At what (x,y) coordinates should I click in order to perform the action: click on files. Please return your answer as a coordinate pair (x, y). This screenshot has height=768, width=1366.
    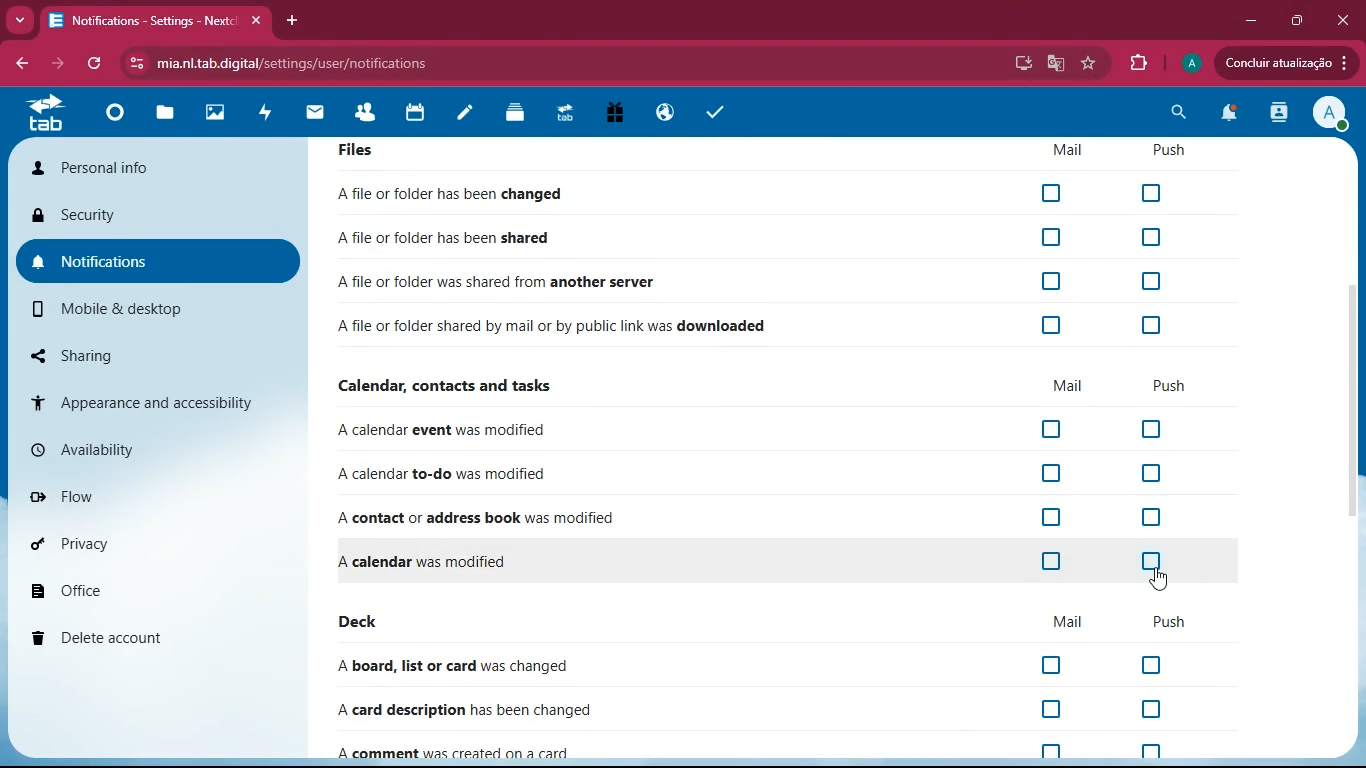
    Looking at the image, I should click on (170, 114).